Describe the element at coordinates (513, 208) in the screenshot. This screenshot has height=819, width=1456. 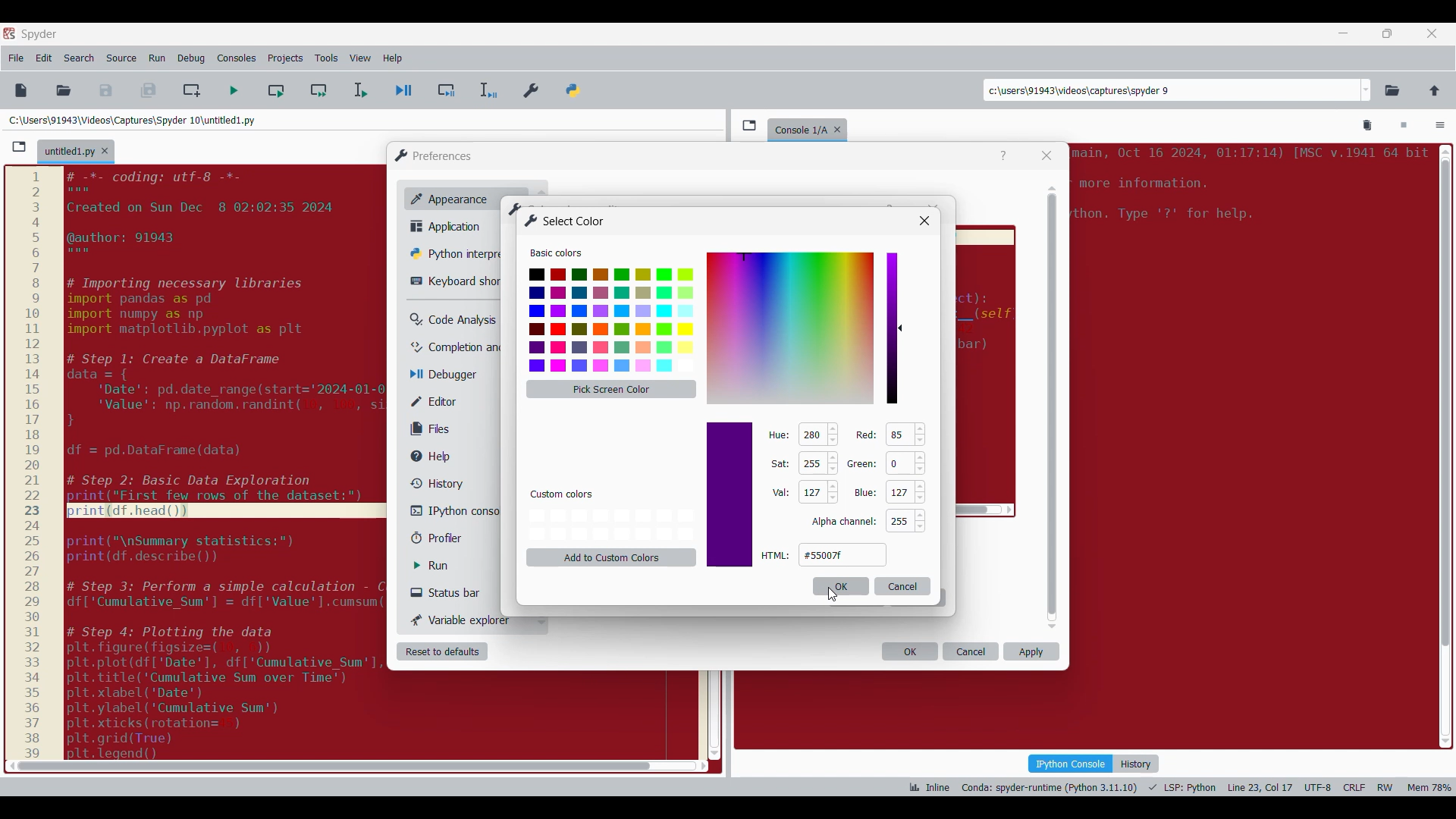
I see `Title of current window` at that location.